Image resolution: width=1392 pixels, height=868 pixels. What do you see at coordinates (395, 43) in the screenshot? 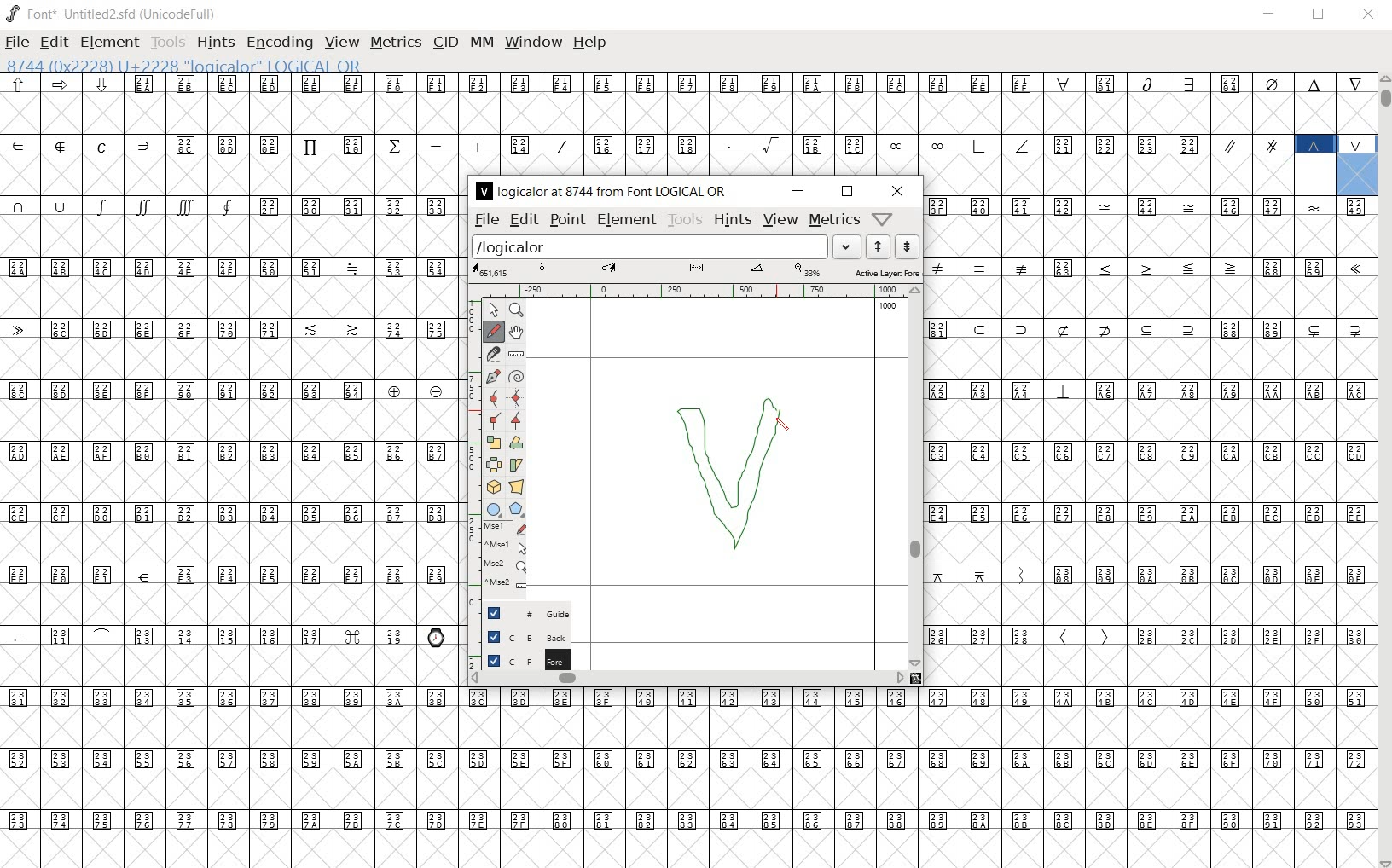
I see `metrics` at bounding box center [395, 43].